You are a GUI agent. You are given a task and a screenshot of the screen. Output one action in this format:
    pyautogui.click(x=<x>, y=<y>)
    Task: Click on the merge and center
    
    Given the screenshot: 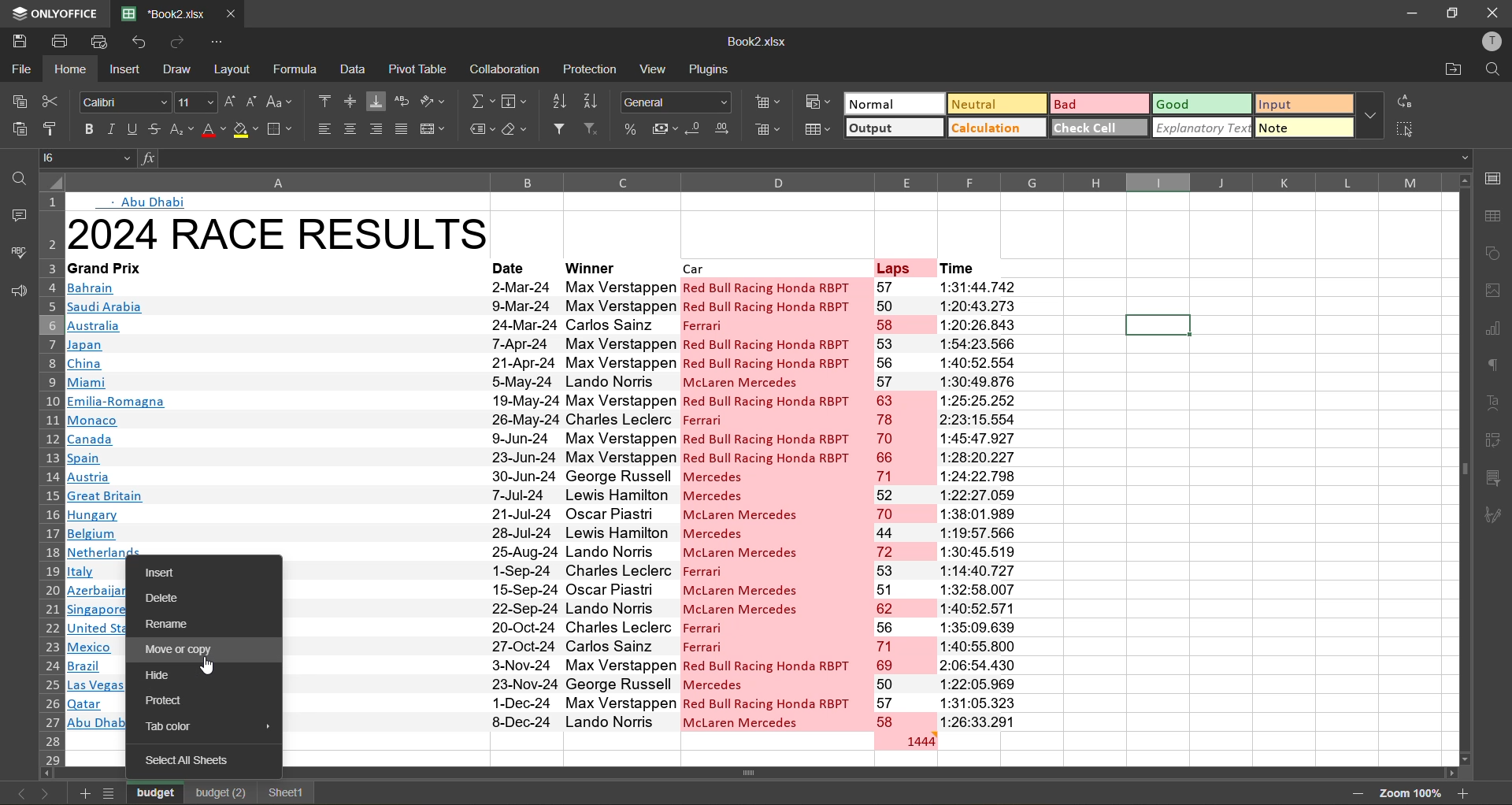 What is the action you would take?
    pyautogui.click(x=435, y=128)
    